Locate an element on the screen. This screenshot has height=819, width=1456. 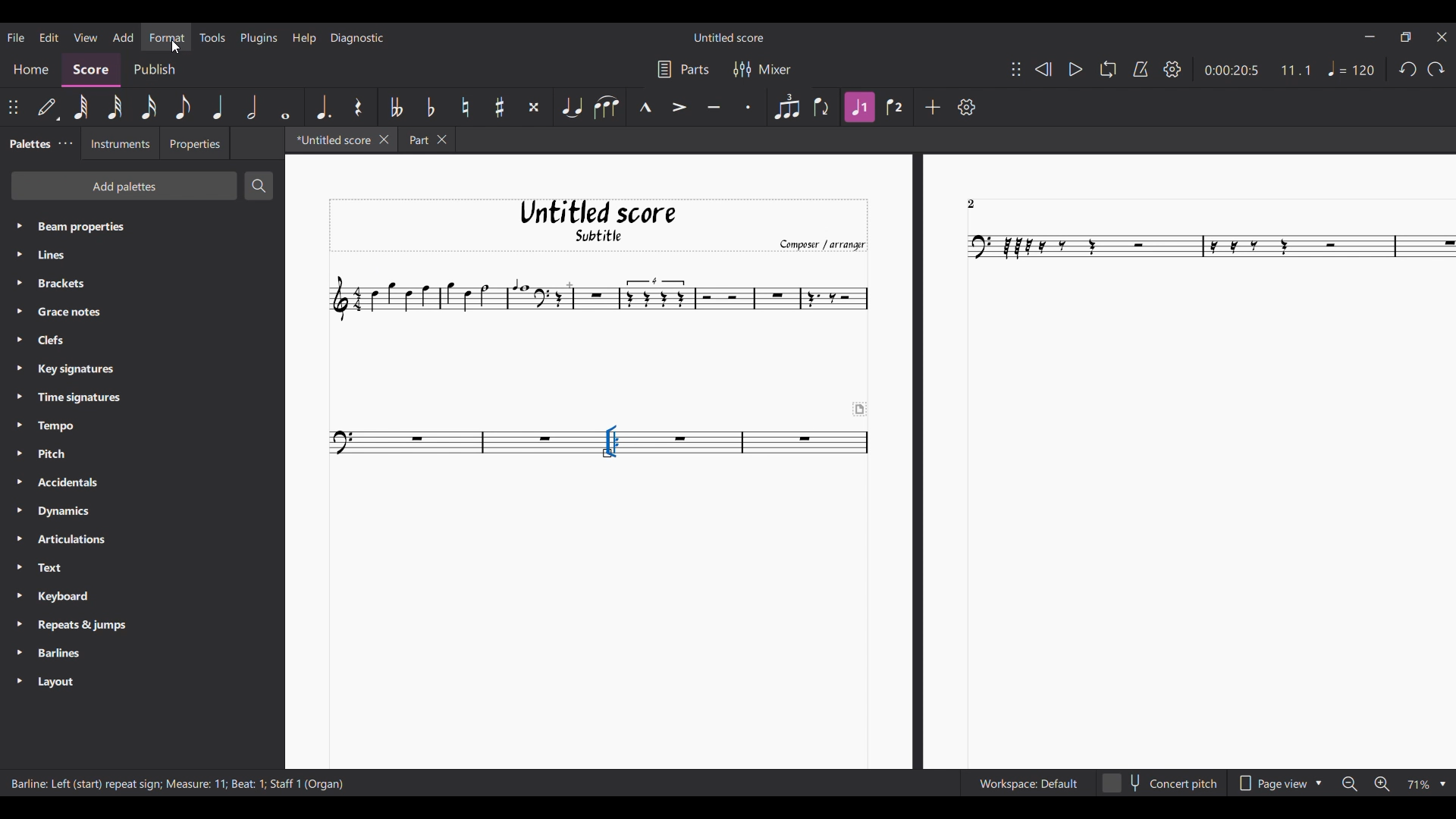
Workspace settings is located at coordinates (1028, 783).